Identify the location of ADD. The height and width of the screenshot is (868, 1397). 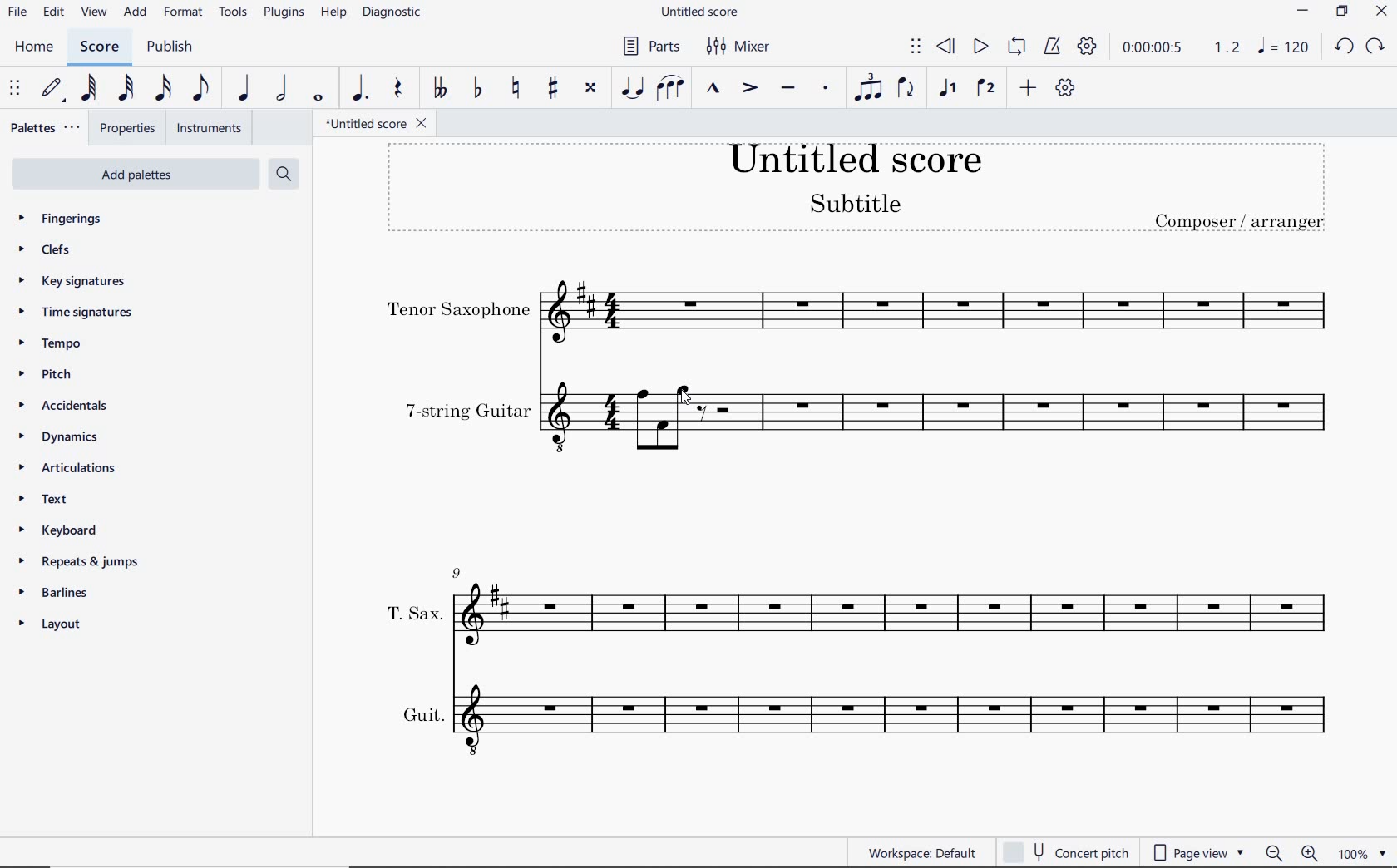
(1026, 89).